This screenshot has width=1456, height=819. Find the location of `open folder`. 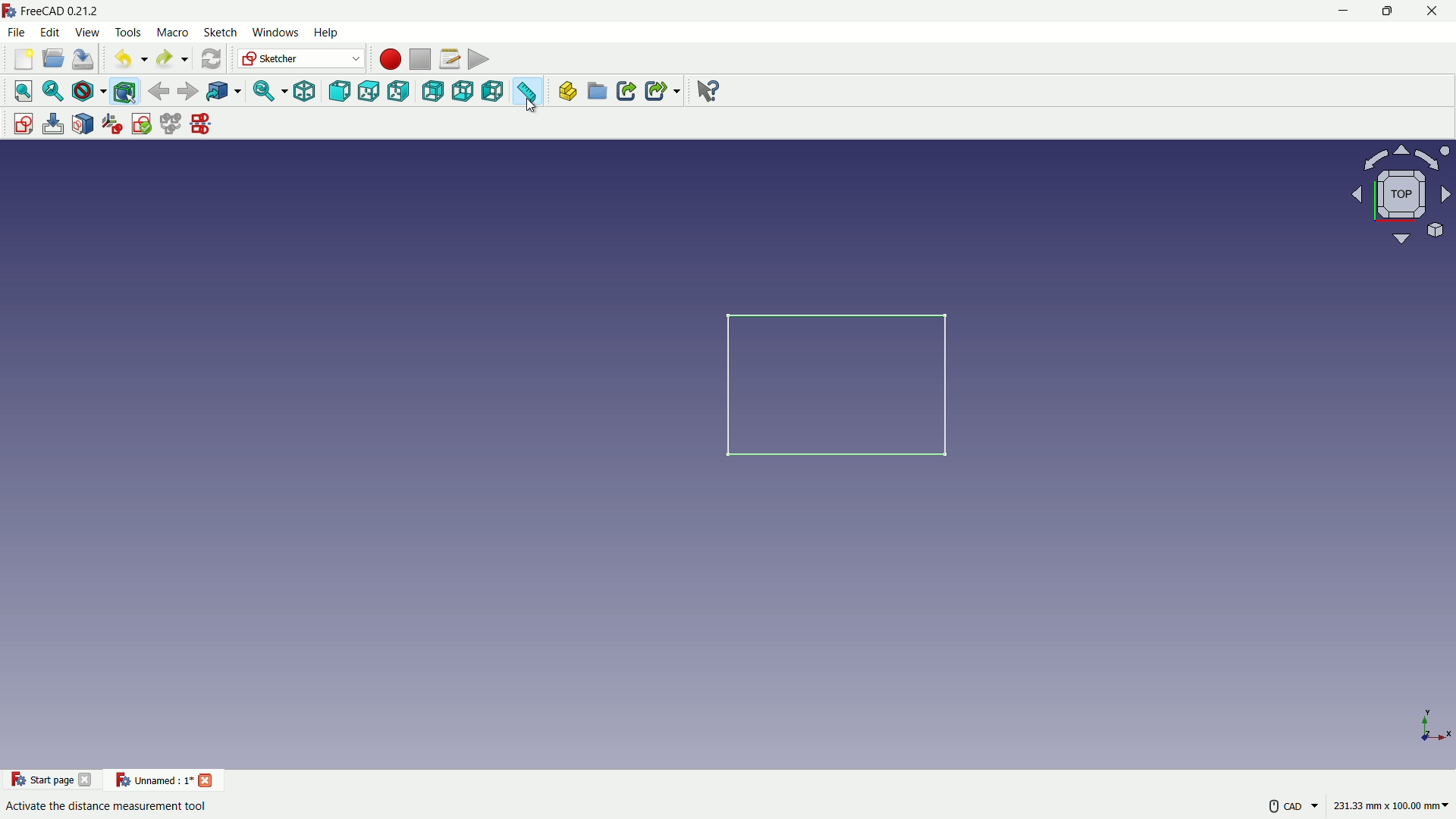

open folder is located at coordinates (52, 60).